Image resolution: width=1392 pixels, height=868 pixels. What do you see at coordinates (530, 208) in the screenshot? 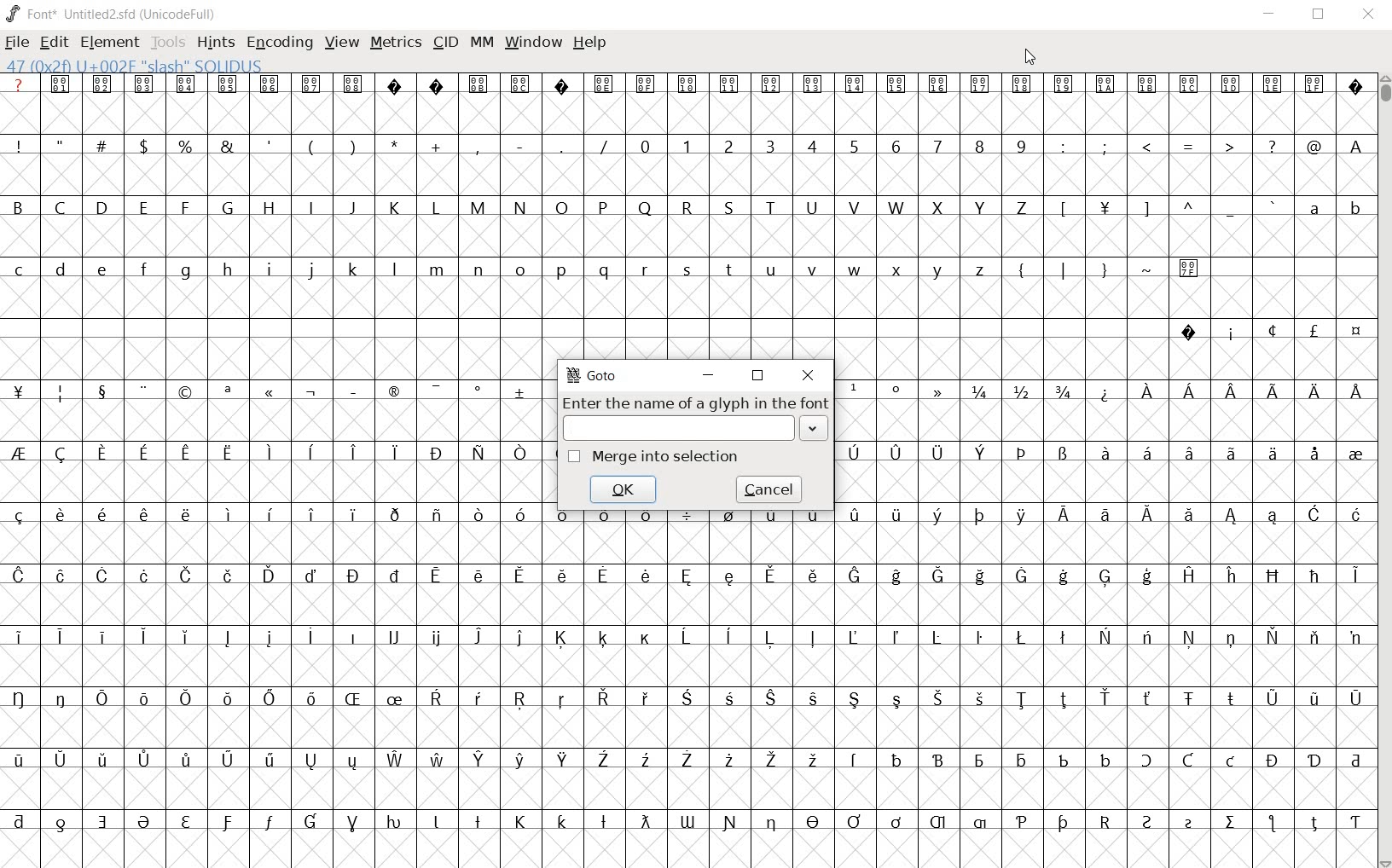
I see `capital letters A - Z` at bounding box center [530, 208].